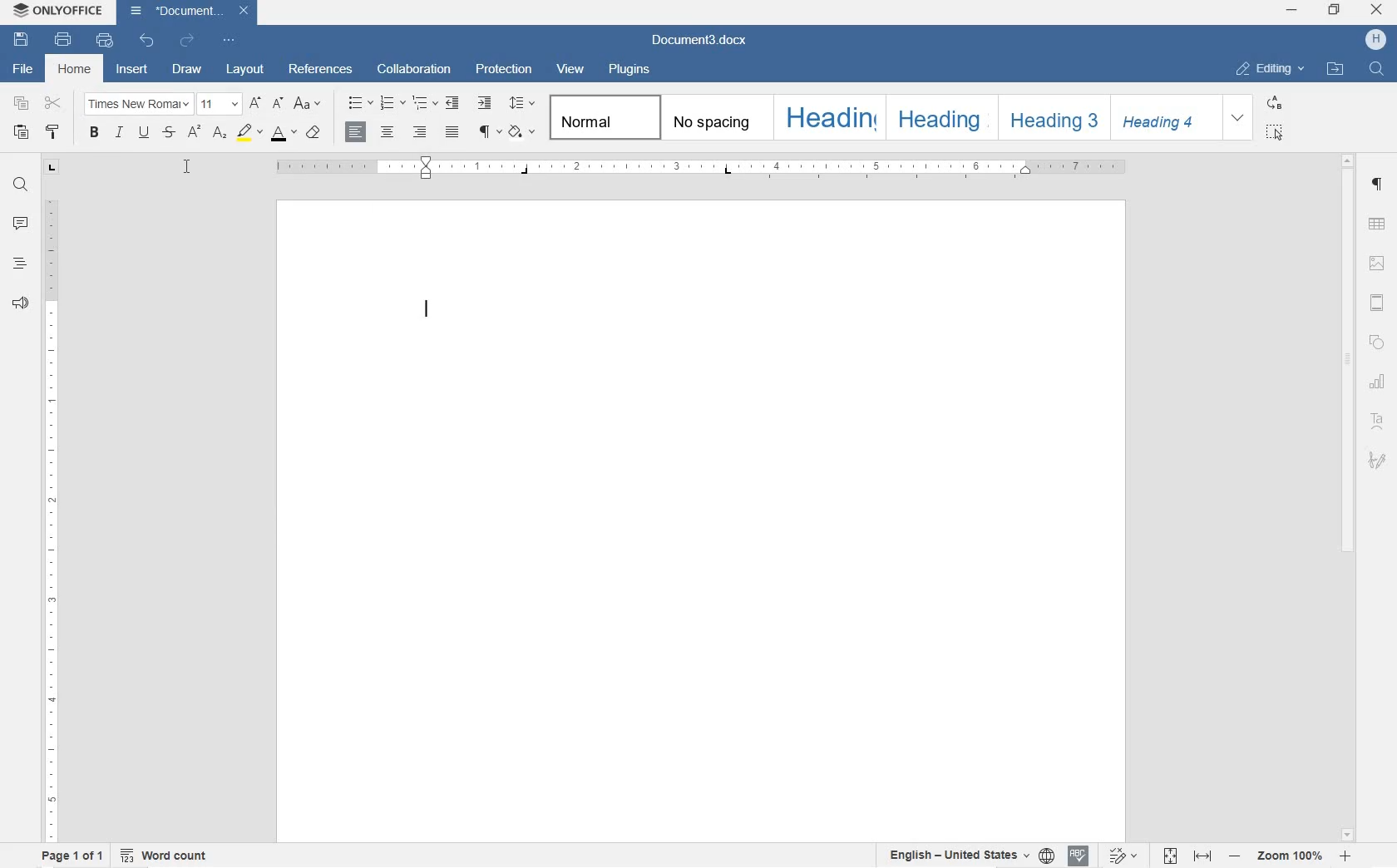  What do you see at coordinates (119, 134) in the screenshot?
I see `ITALIC` at bounding box center [119, 134].